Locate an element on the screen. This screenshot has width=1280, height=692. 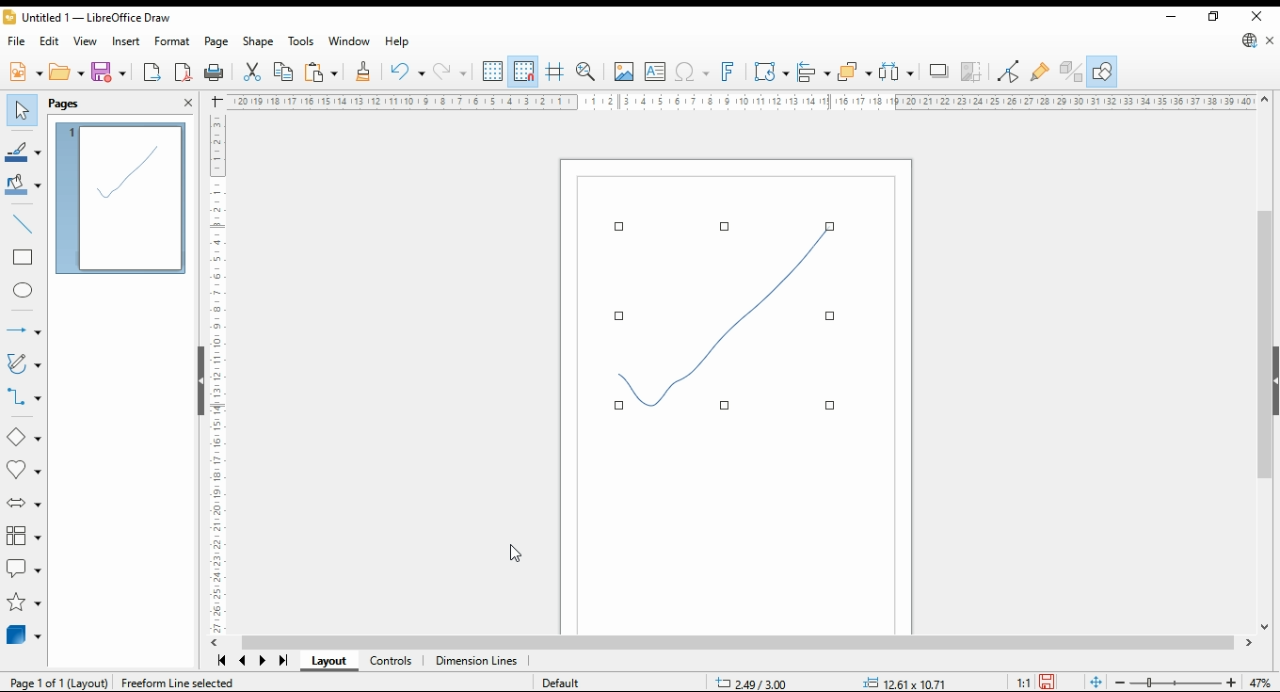
new is located at coordinates (24, 74).